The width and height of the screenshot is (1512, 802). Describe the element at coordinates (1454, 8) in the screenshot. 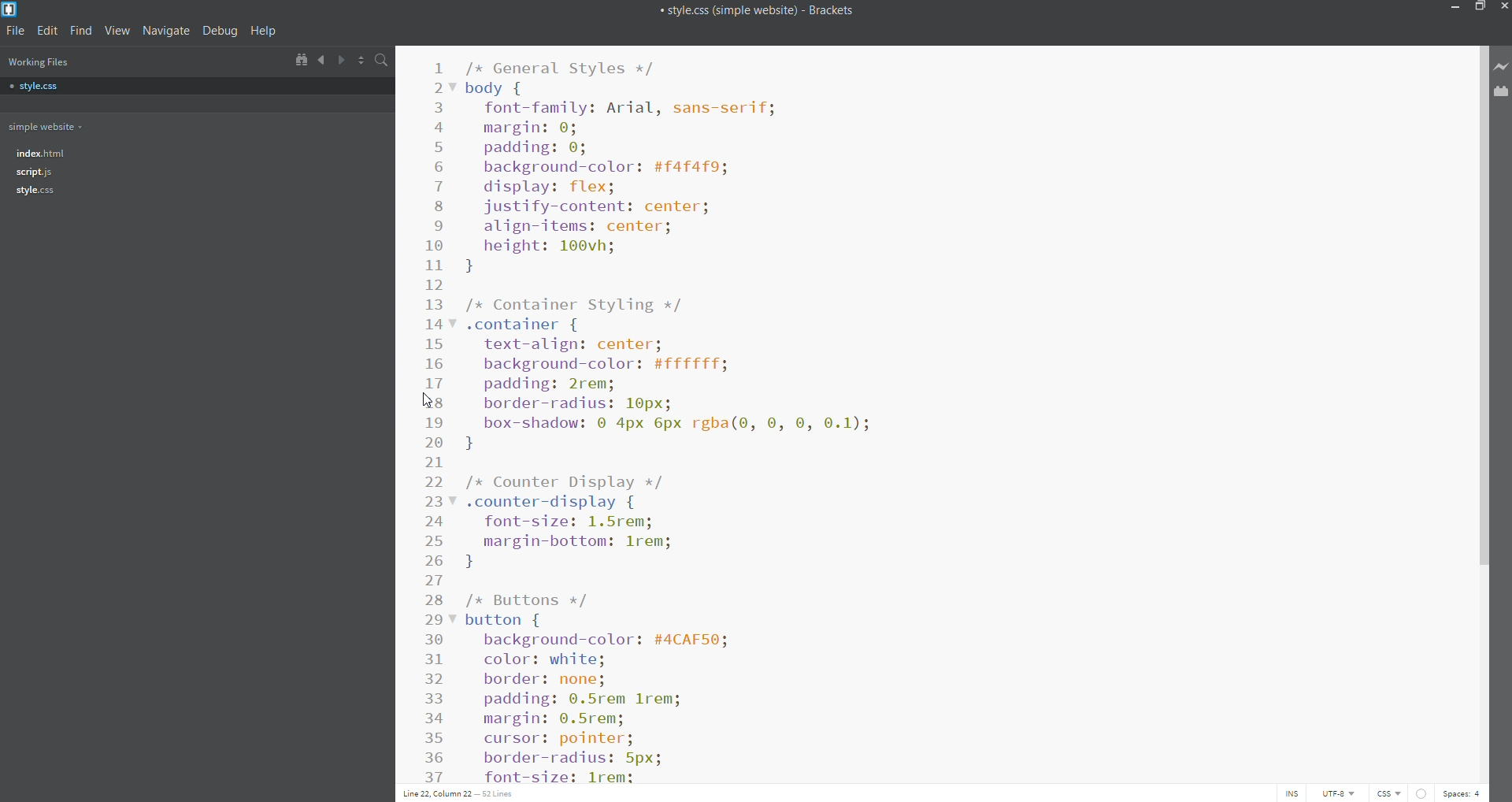

I see `minimize` at that location.